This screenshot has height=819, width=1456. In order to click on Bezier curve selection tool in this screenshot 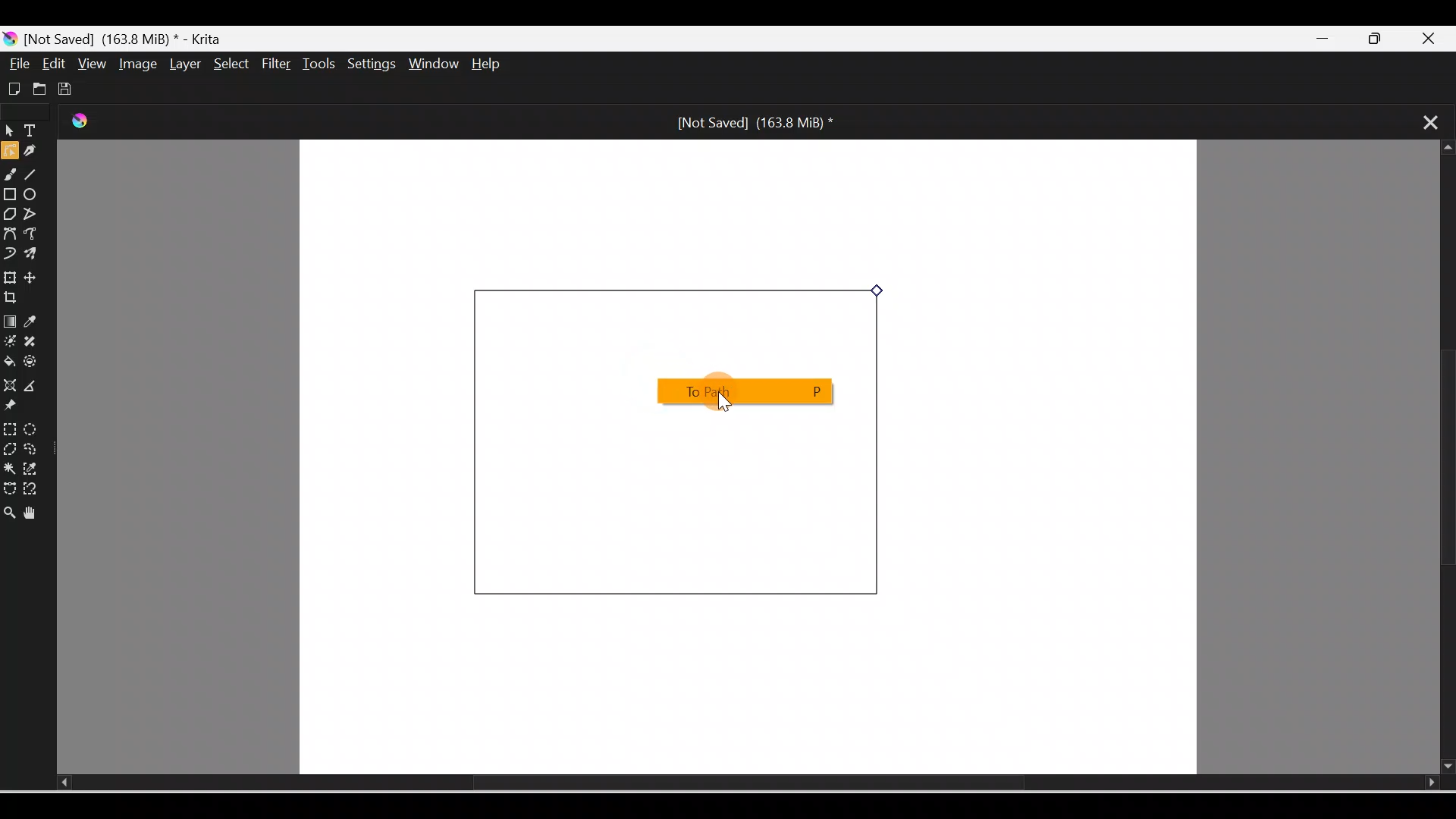, I will do `click(9, 485)`.